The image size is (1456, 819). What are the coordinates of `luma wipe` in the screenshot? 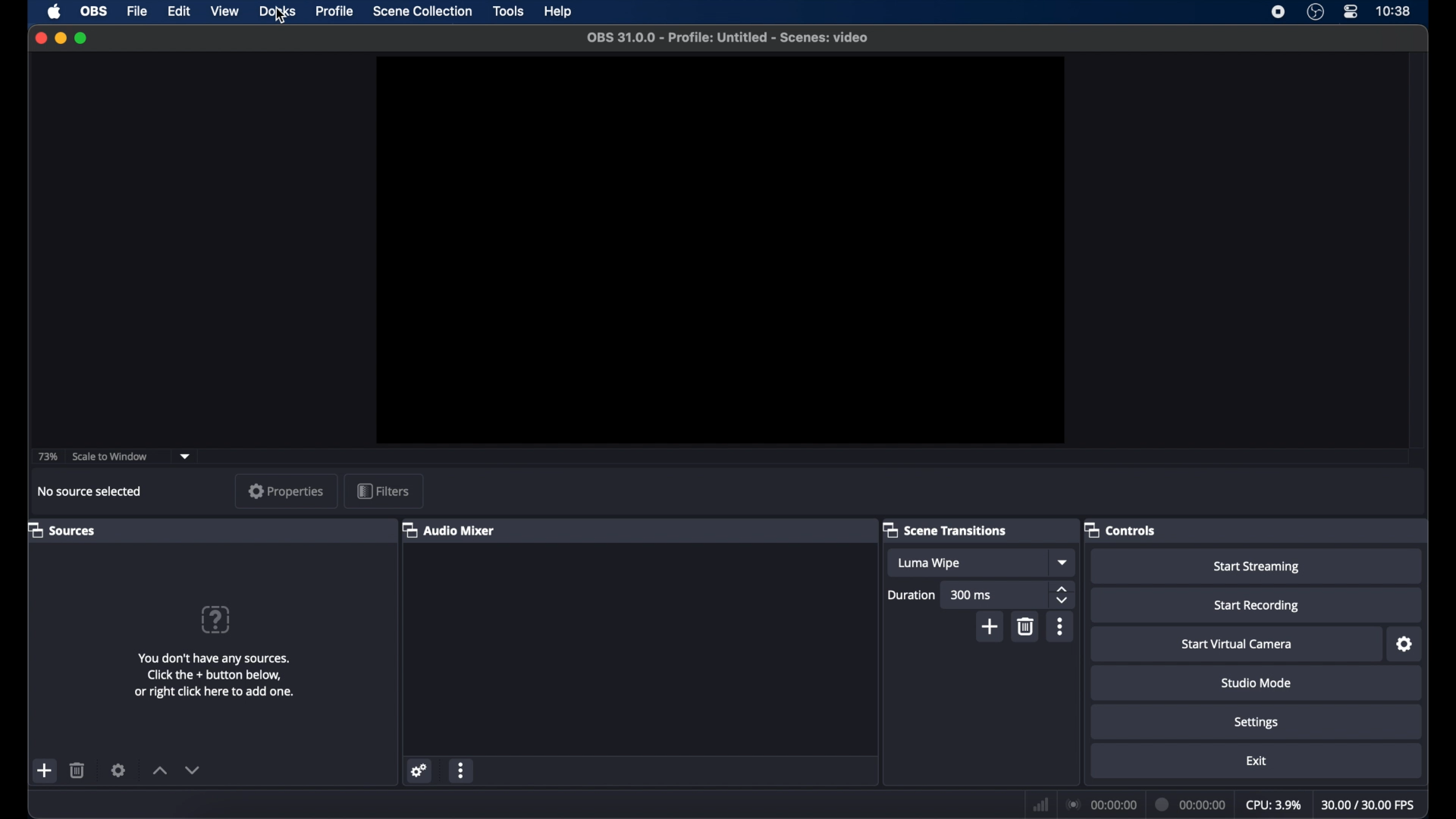 It's located at (930, 563).